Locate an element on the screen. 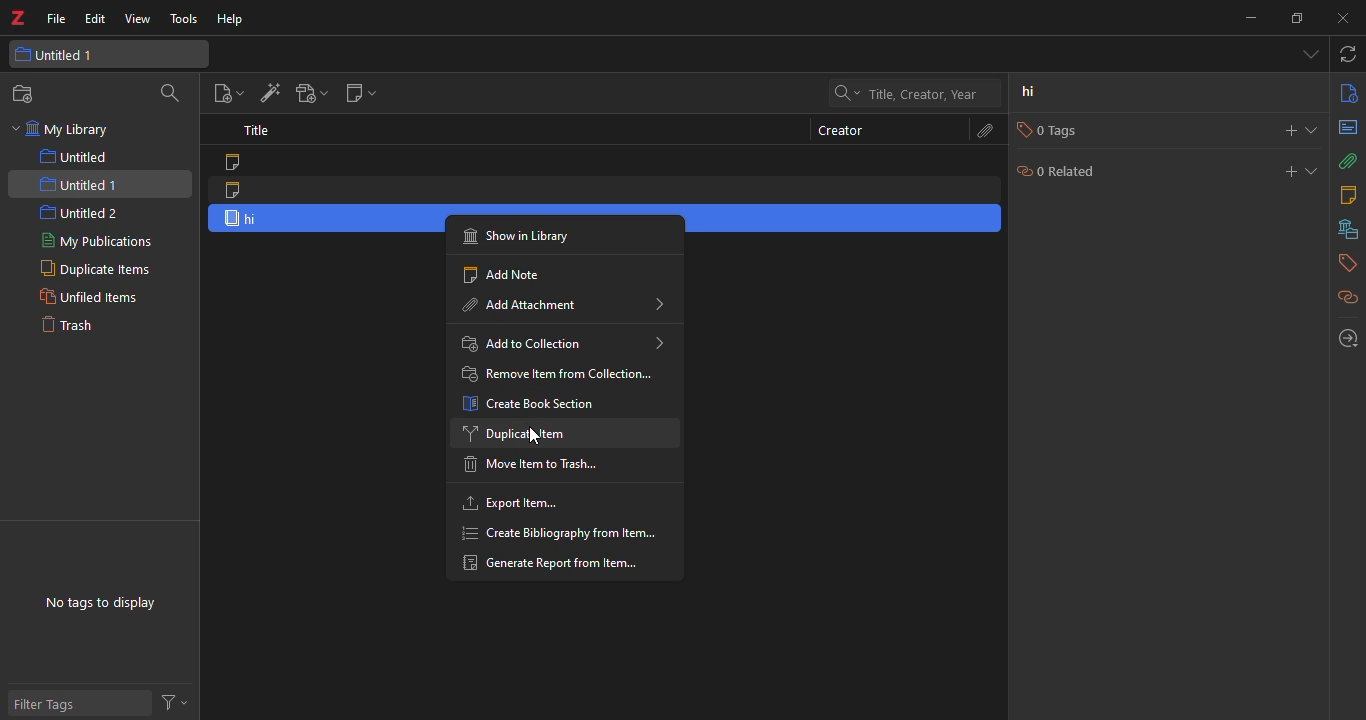  0 tags is located at coordinates (1052, 131).